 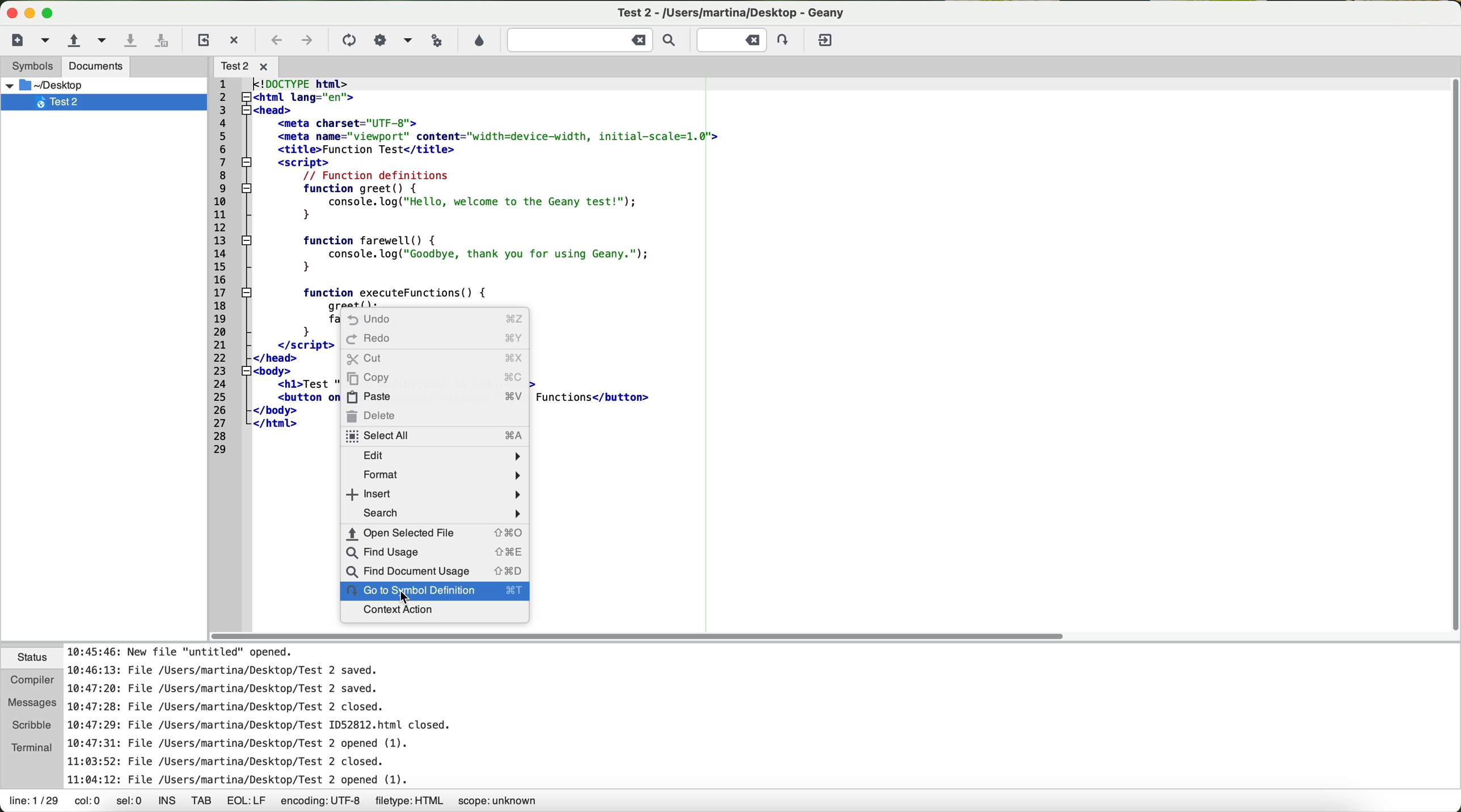 I want to click on delete, so click(x=373, y=415).